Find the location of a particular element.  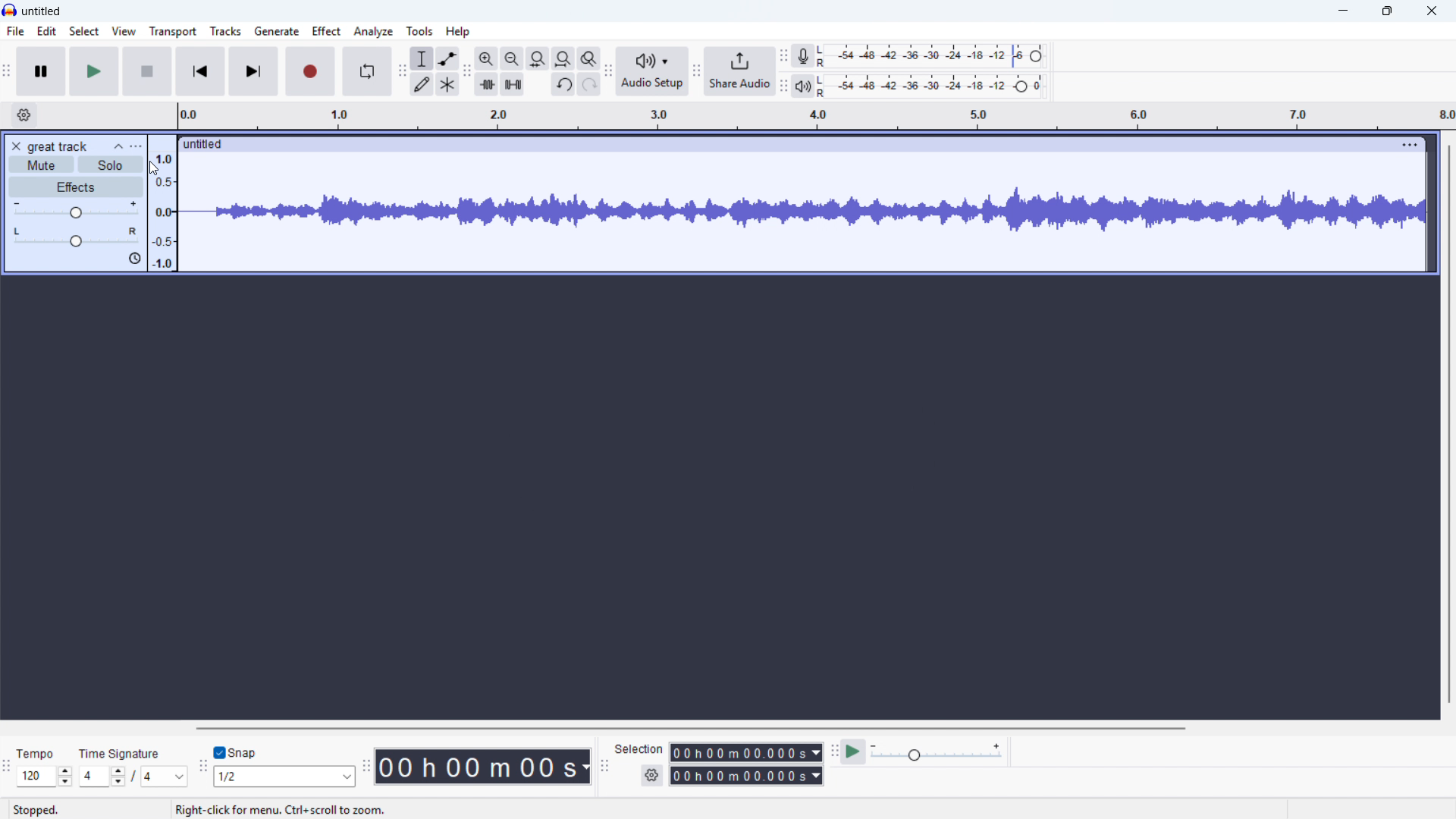

Silence audio selection  is located at coordinates (513, 85).